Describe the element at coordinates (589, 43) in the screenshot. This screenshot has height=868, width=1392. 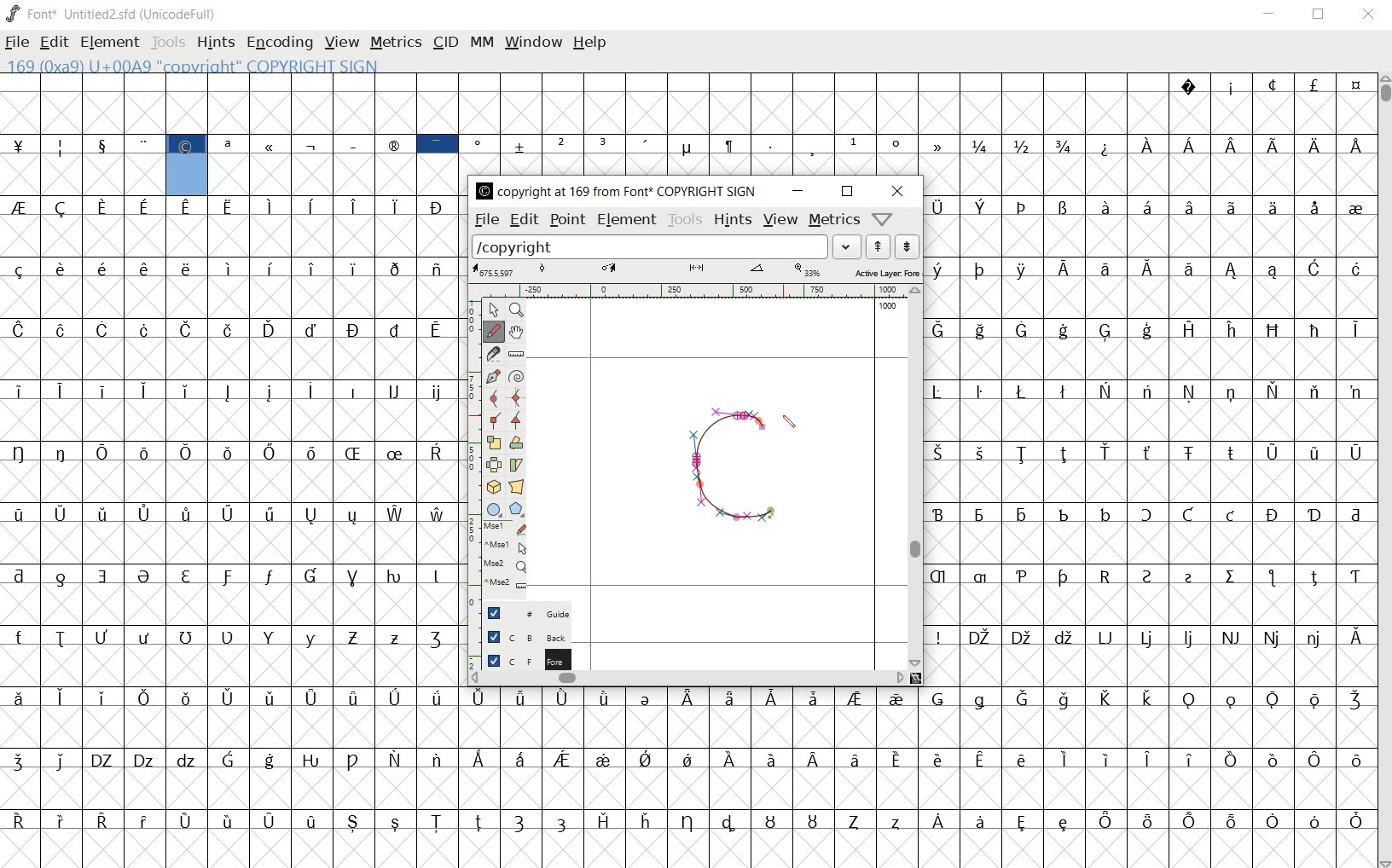
I see `help` at that location.